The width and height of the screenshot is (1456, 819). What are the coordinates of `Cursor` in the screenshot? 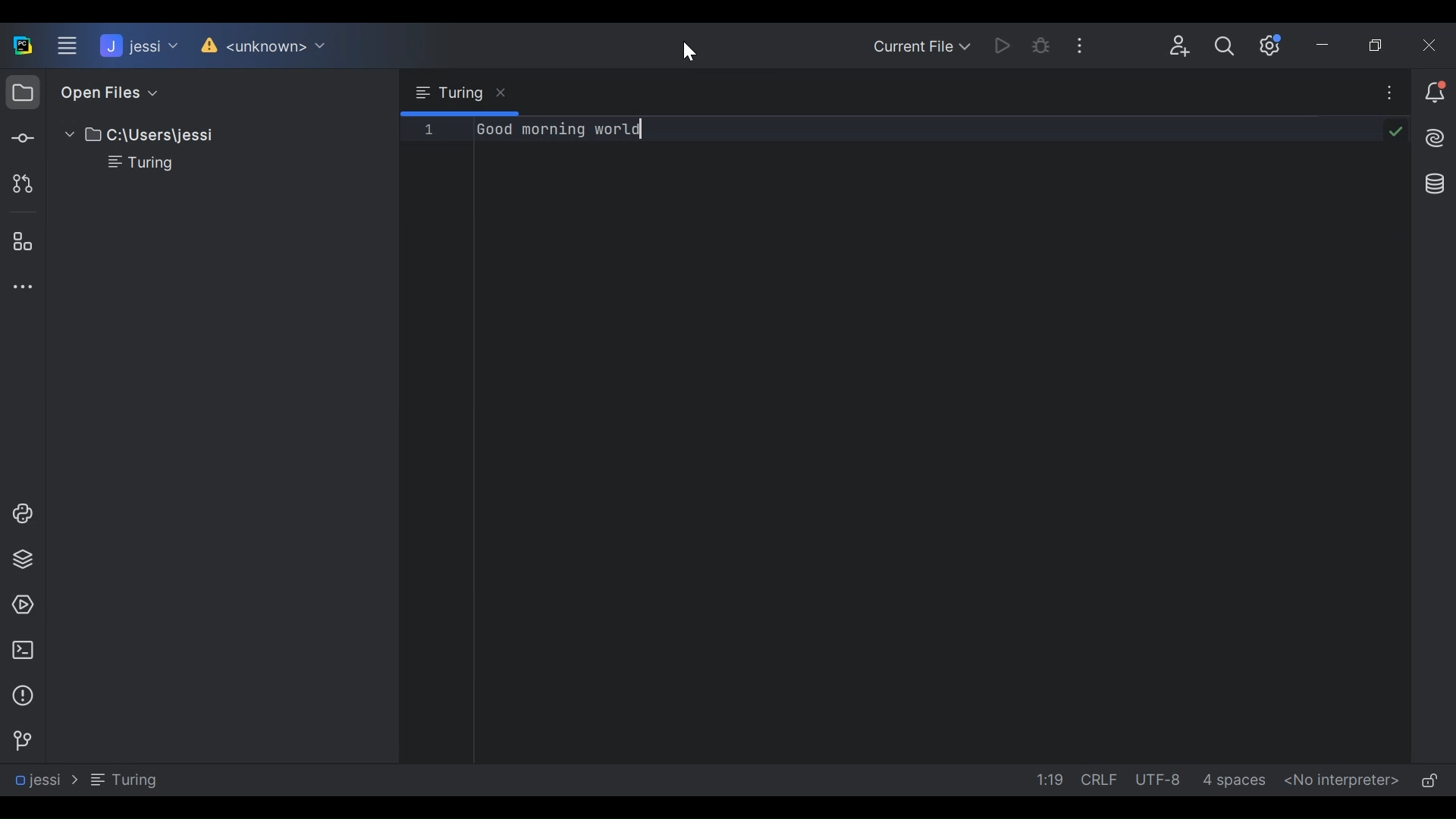 It's located at (690, 52).